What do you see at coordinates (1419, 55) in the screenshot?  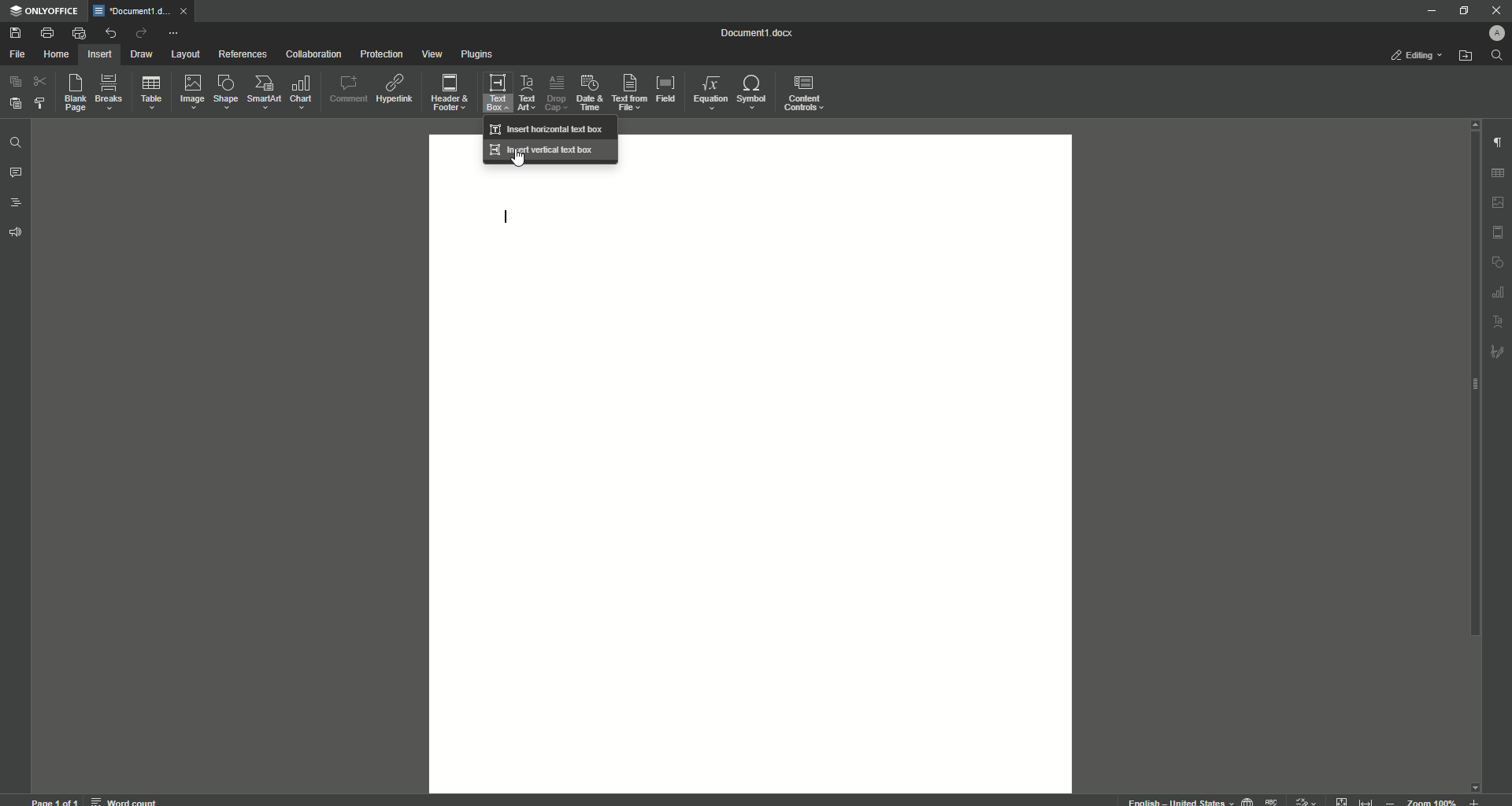 I see `Editing` at bounding box center [1419, 55].